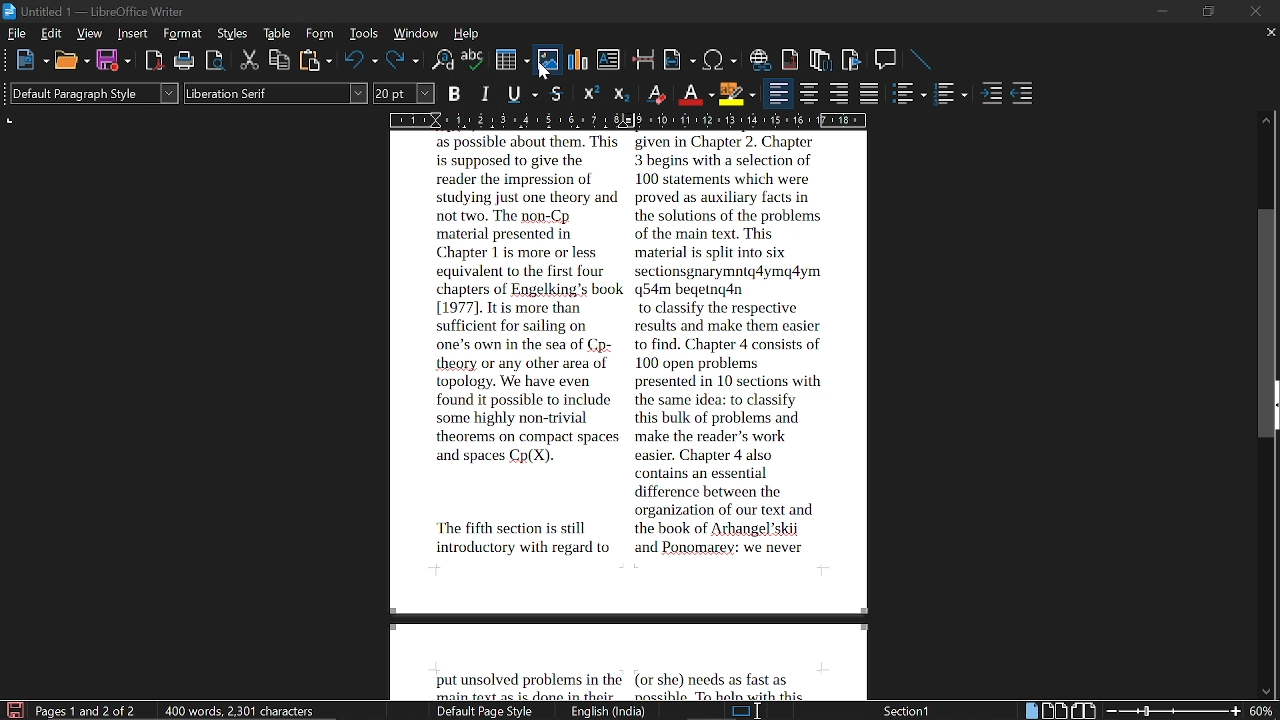 The width and height of the screenshot is (1280, 720). Describe the element at coordinates (52, 34) in the screenshot. I see `edit` at that location.